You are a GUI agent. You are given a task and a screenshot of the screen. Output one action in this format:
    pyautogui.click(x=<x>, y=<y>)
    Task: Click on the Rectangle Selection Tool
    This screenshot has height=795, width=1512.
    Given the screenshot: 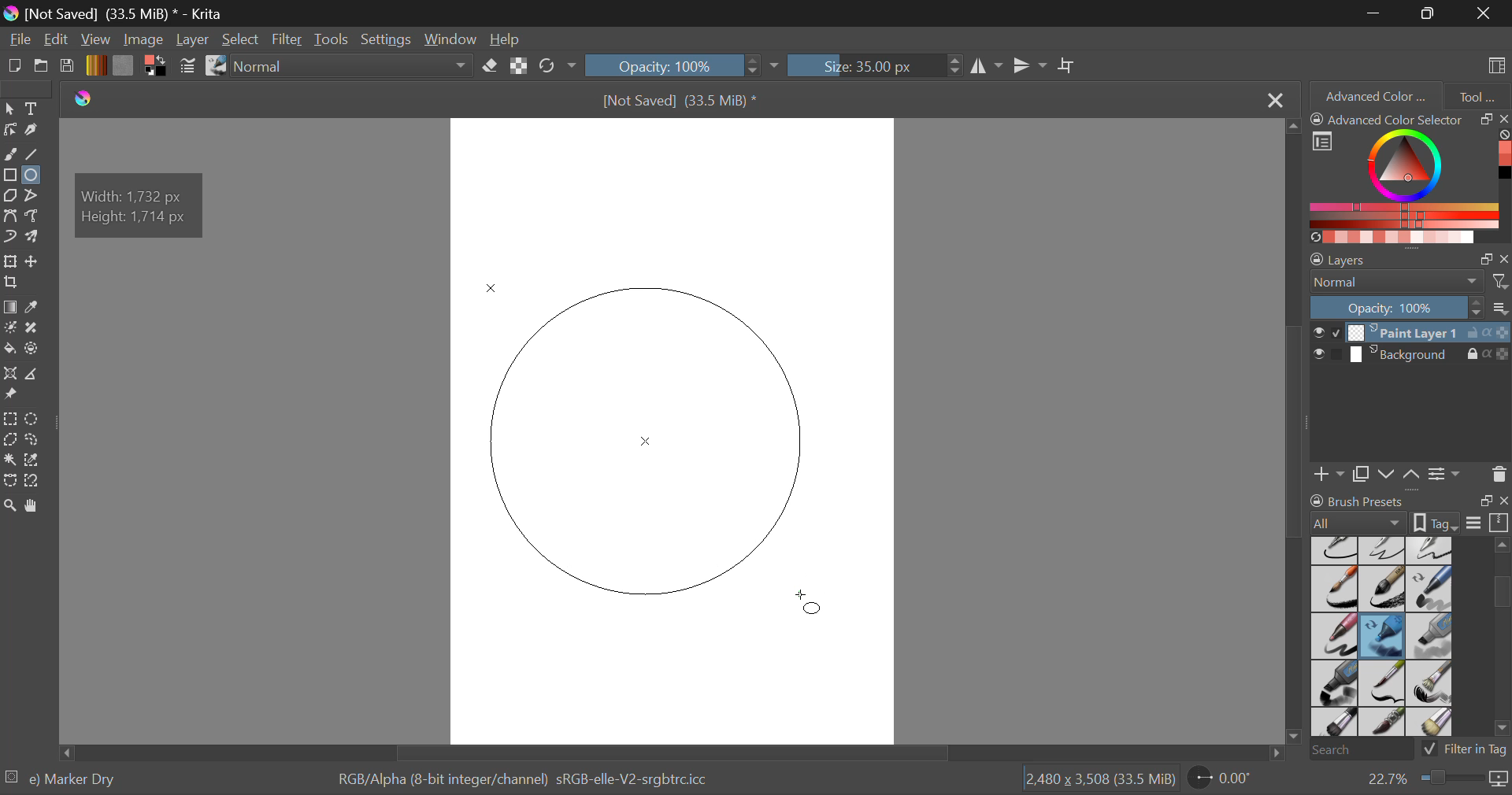 What is the action you would take?
    pyautogui.click(x=9, y=418)
    